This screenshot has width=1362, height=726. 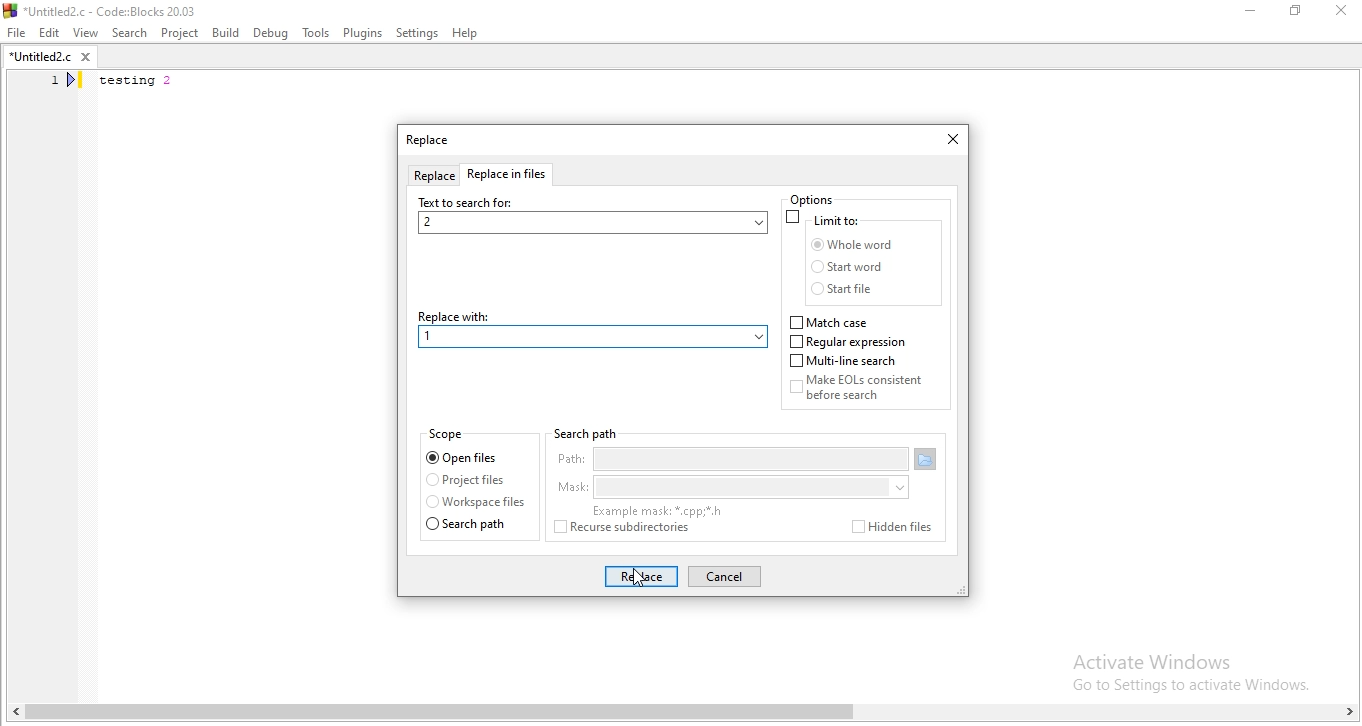 What do you see at coordinates (467, 202) in the screenshot?
I see `text to search for` at bounding box center [467, 202].